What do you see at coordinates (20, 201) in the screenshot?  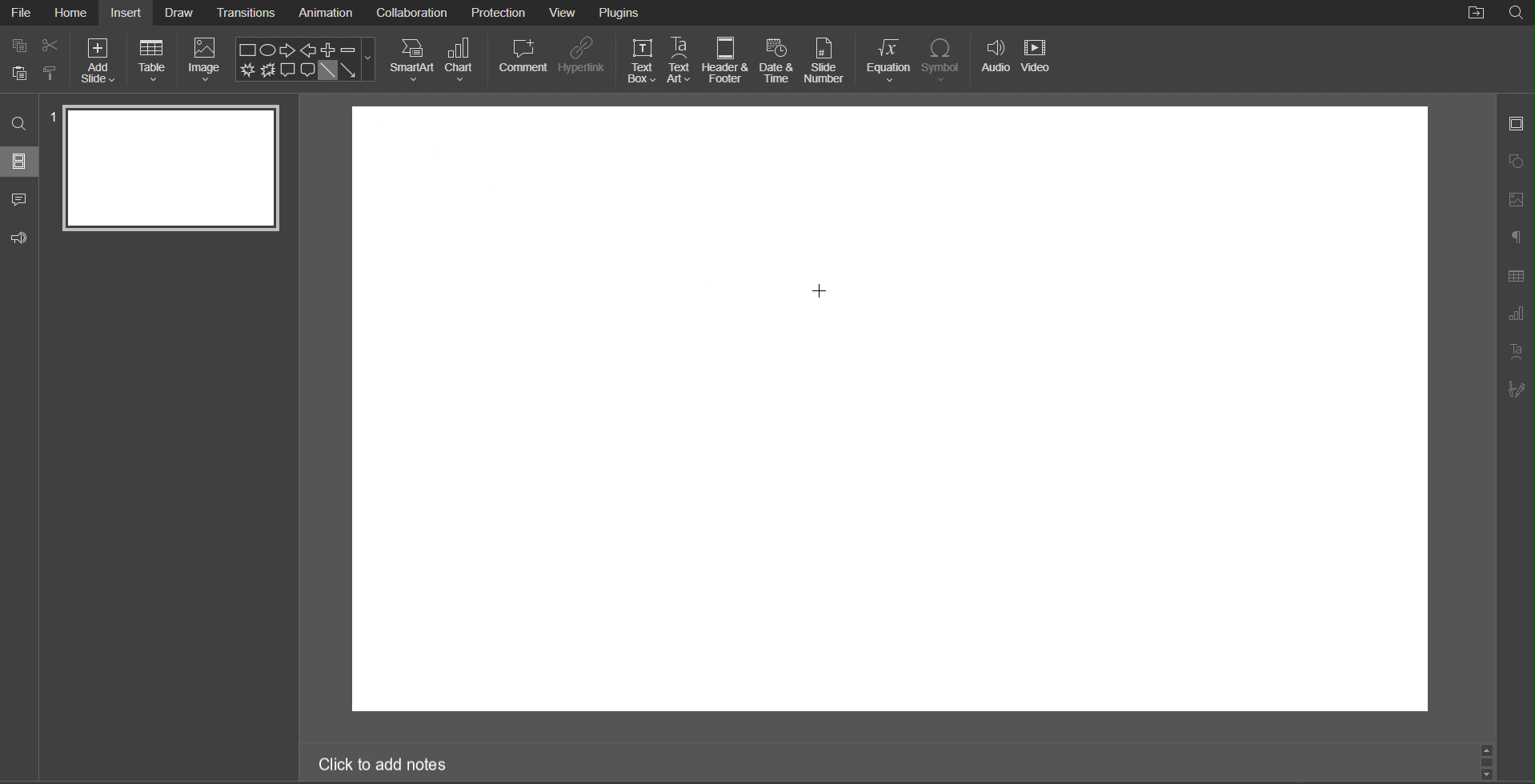 I see `Comment` at bounding box center [20, 201].